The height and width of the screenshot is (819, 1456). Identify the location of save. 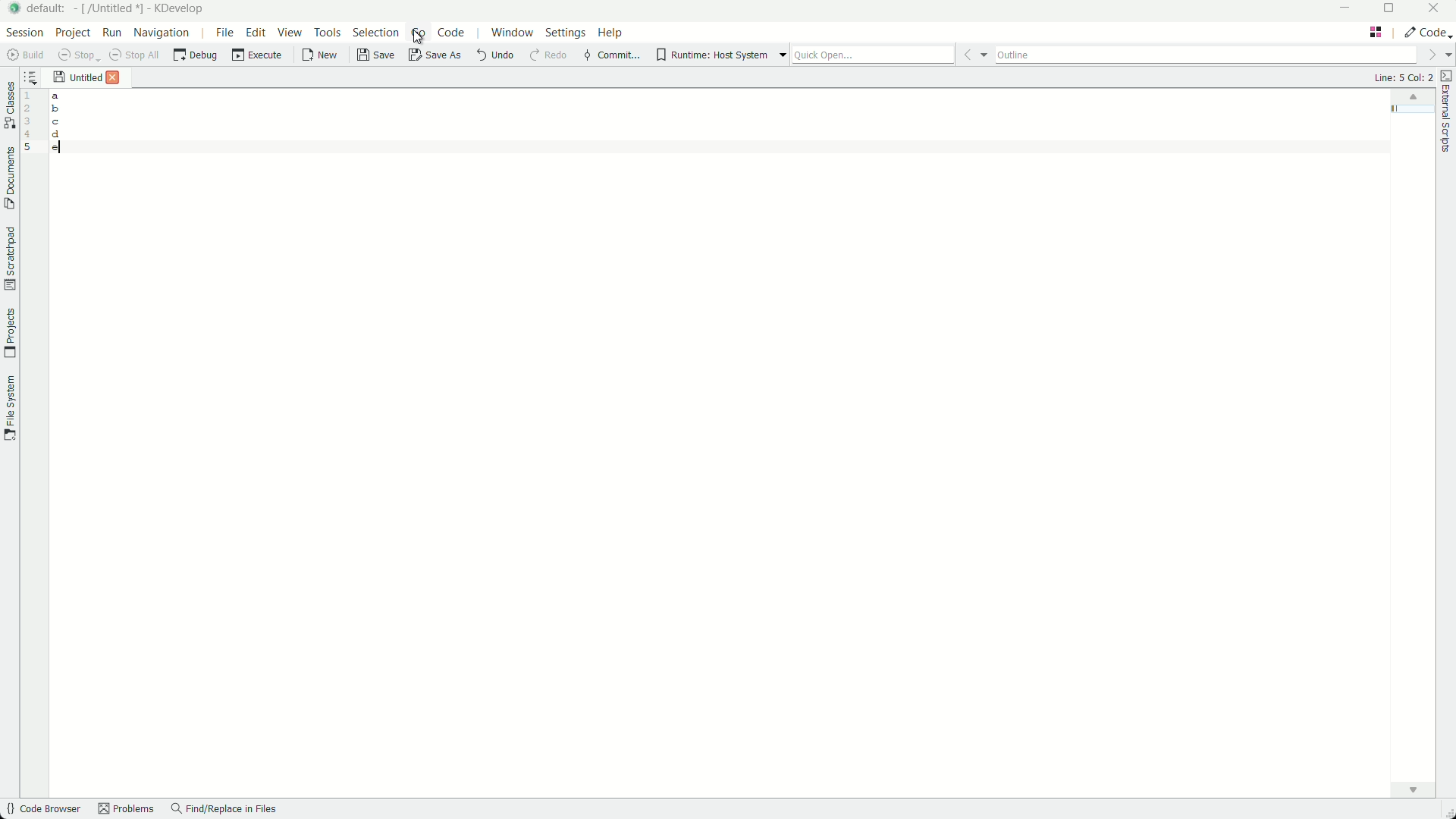
(375, 58).